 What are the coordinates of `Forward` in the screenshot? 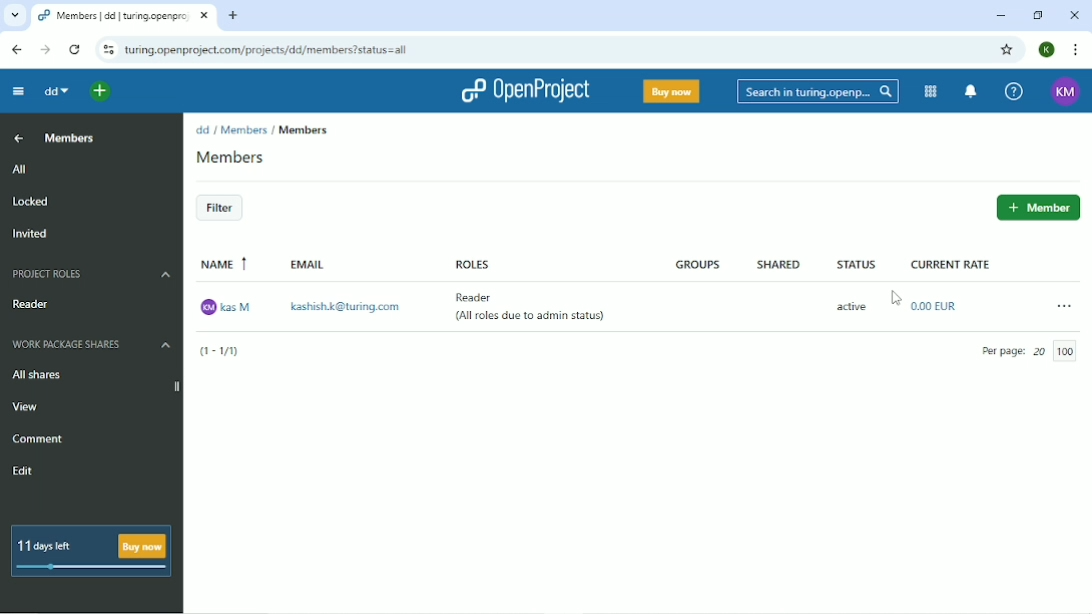 It's located at (46, 50).